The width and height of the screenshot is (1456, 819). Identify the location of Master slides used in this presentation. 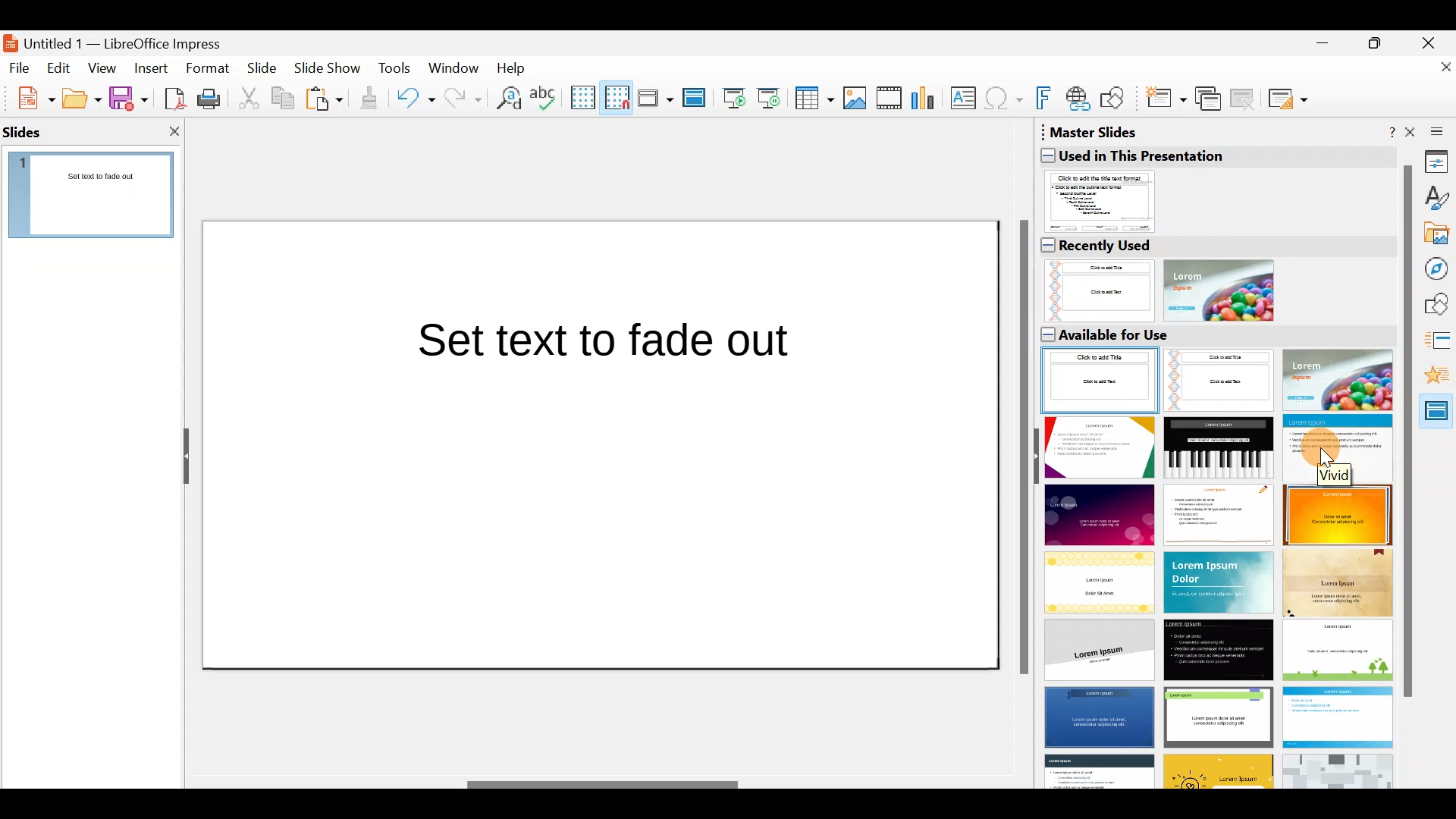
(1214, 178).